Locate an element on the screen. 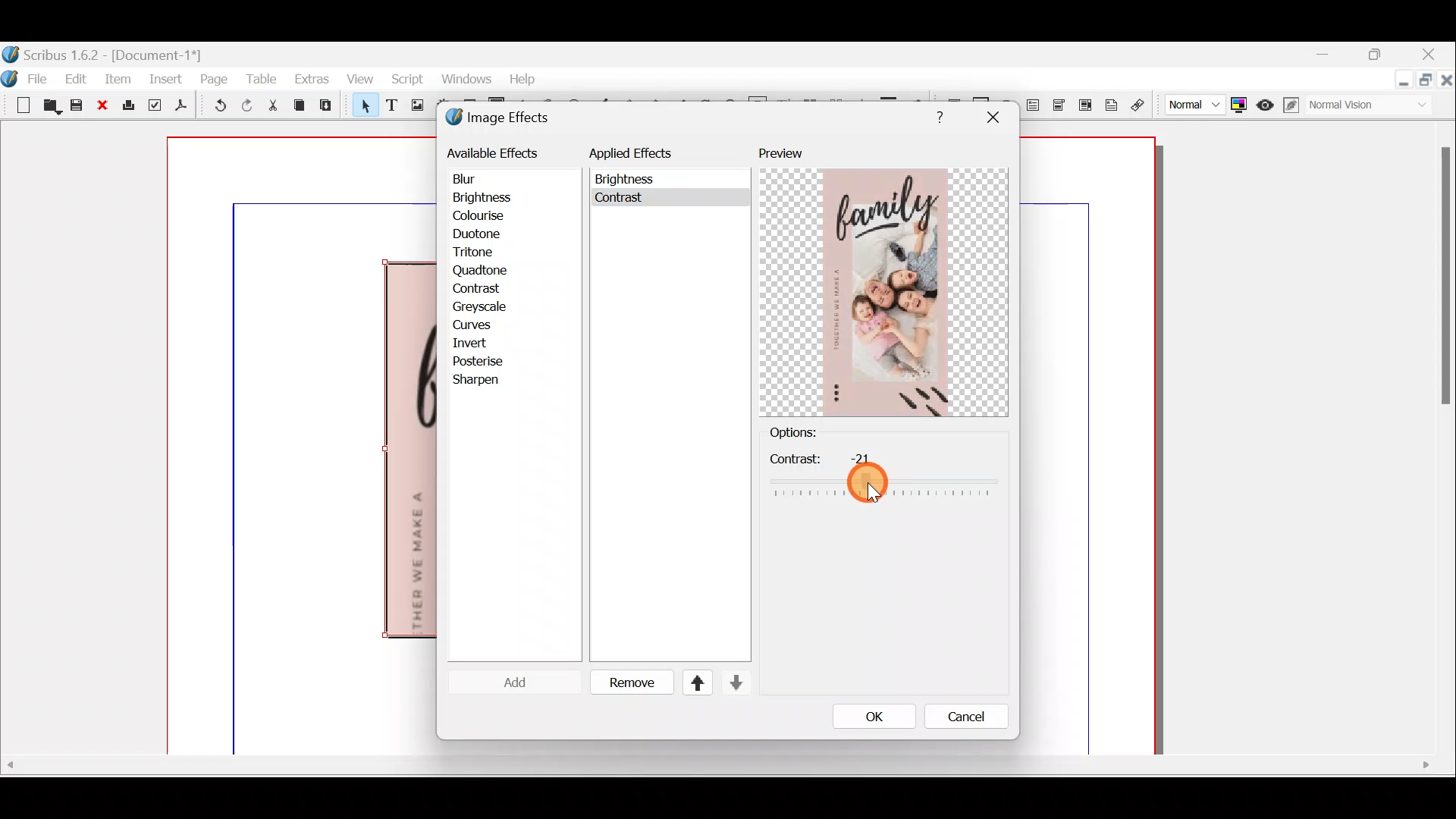 The height and width of the screenshot is (819, 1456). Close is located at coordinates (104, 106).